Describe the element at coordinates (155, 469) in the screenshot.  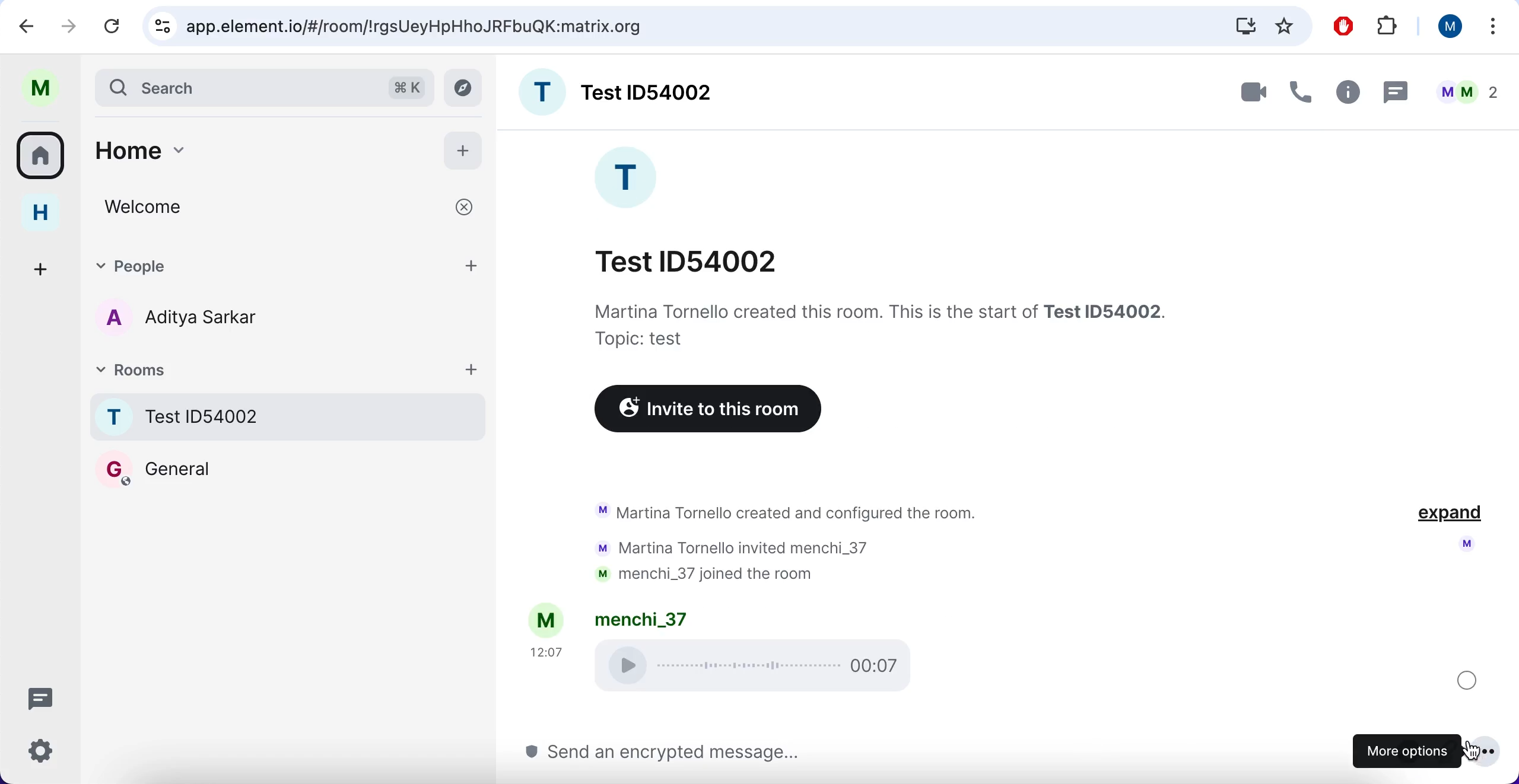
I see `general` at that location.